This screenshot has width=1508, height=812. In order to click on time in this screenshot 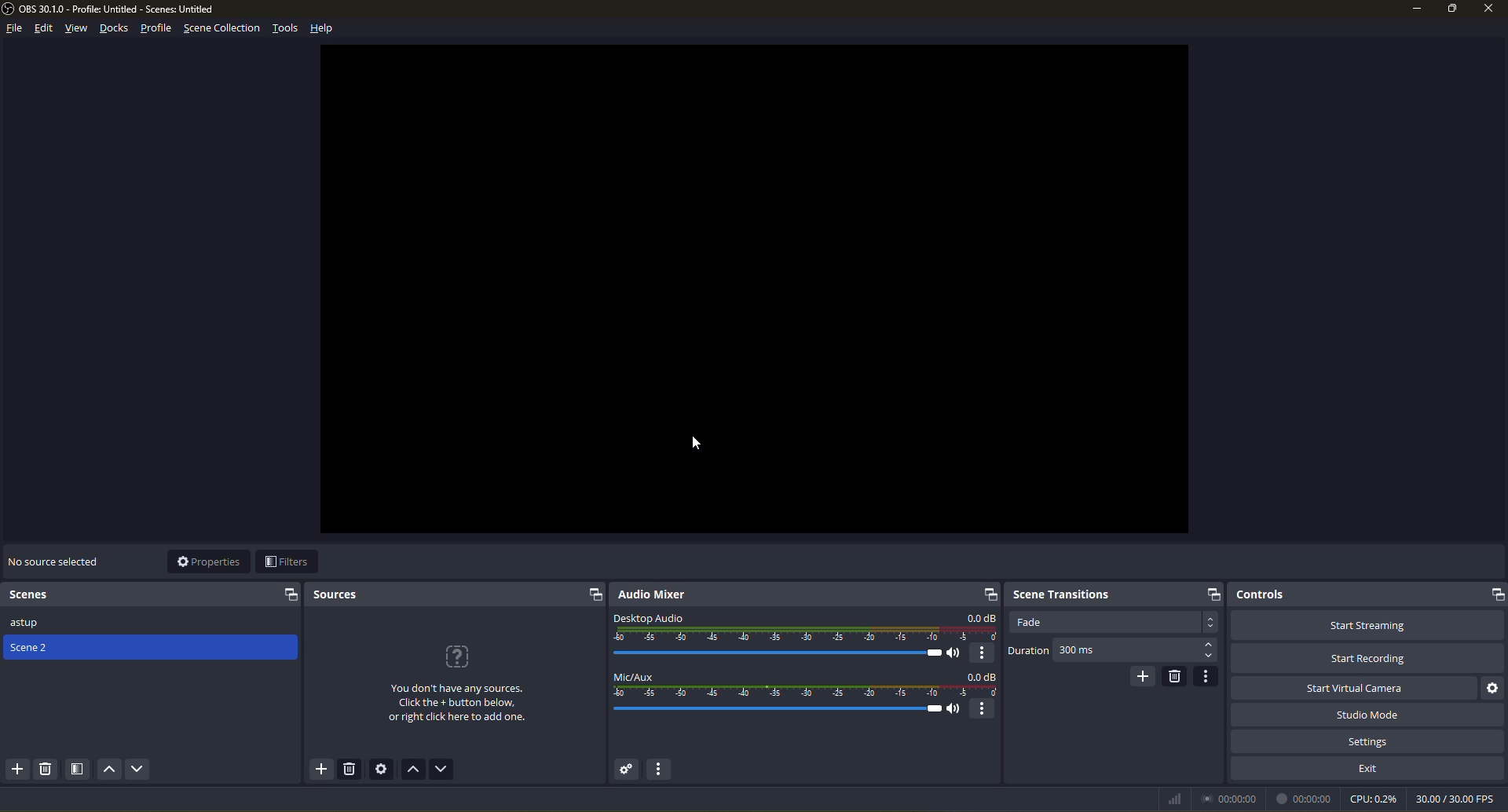, I will do `click(1304, 799)`.